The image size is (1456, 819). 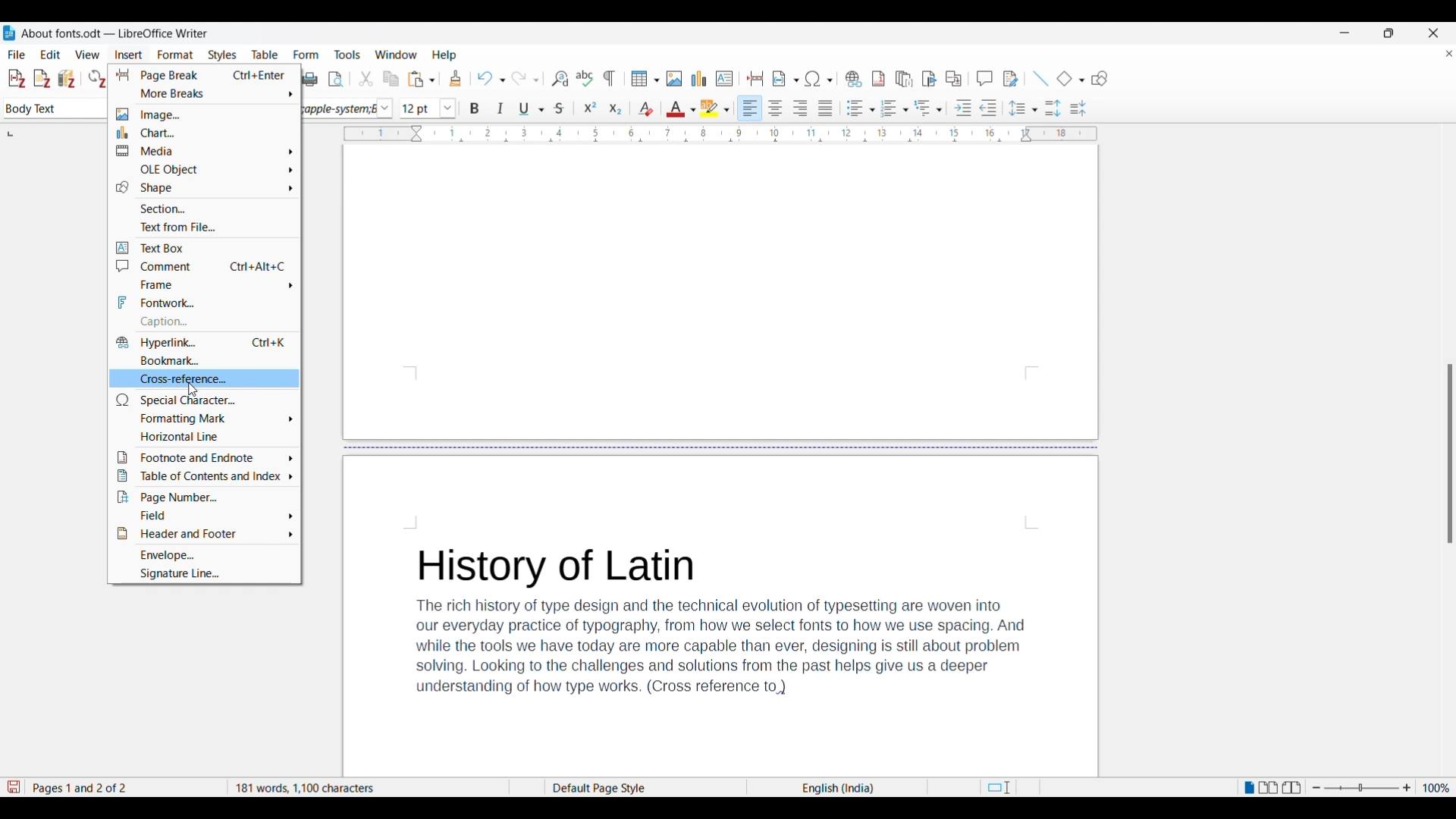 I want to click on Zoom out, so click(x=1316, y=789).